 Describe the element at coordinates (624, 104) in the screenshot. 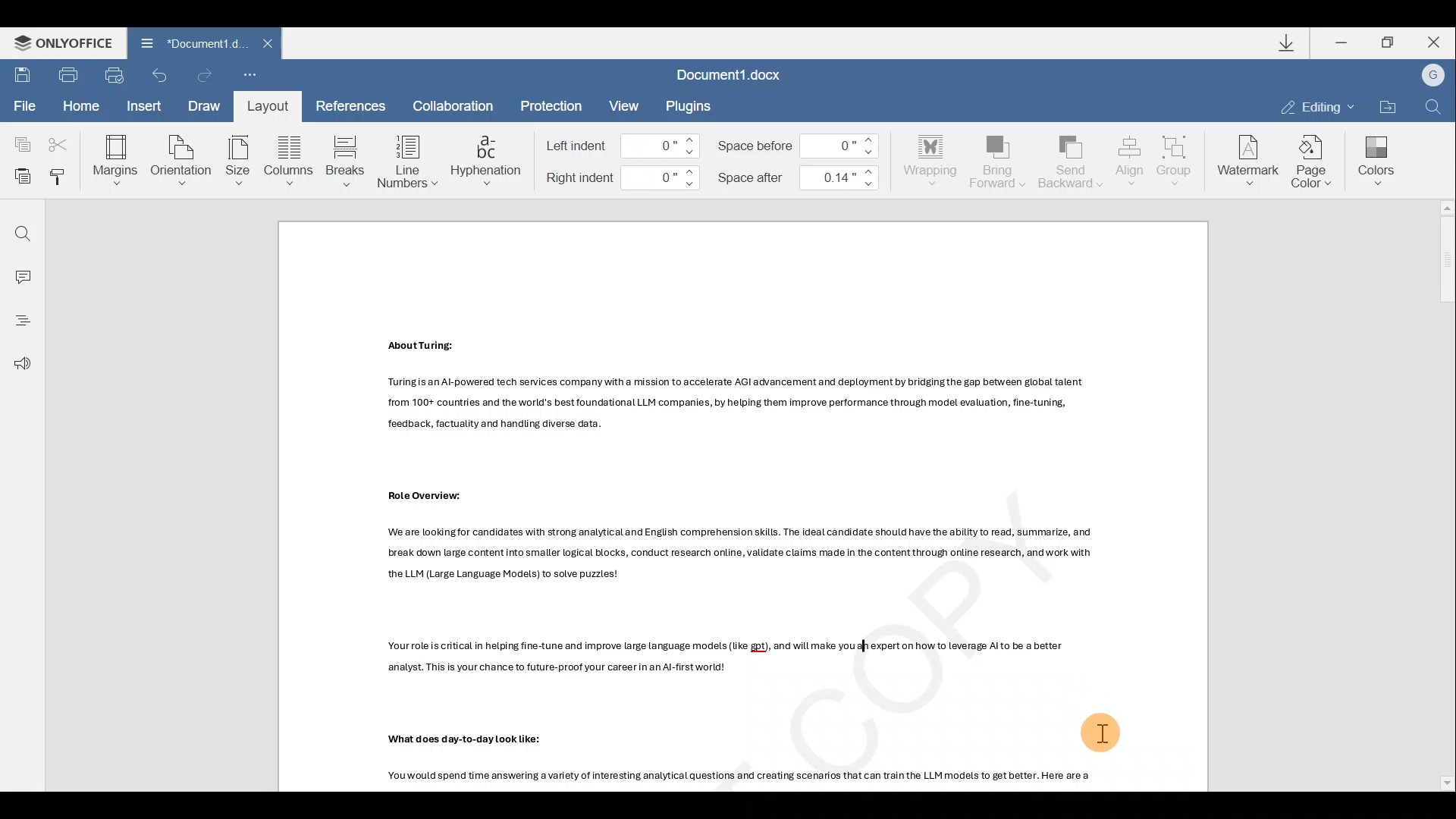

I see `View` at that location.